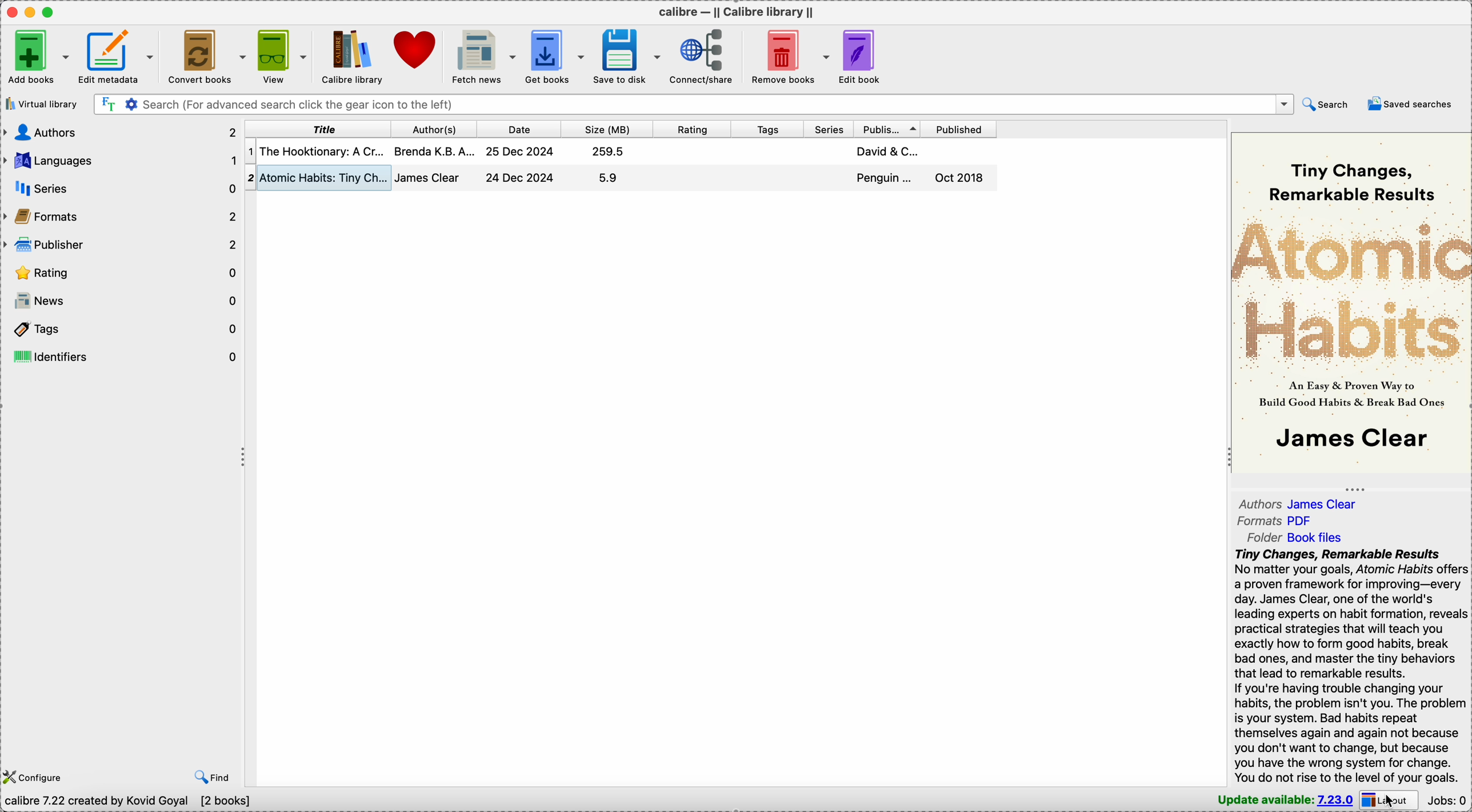 The image size is (1472, 812). I want to click on james clear, so click(429, 177).